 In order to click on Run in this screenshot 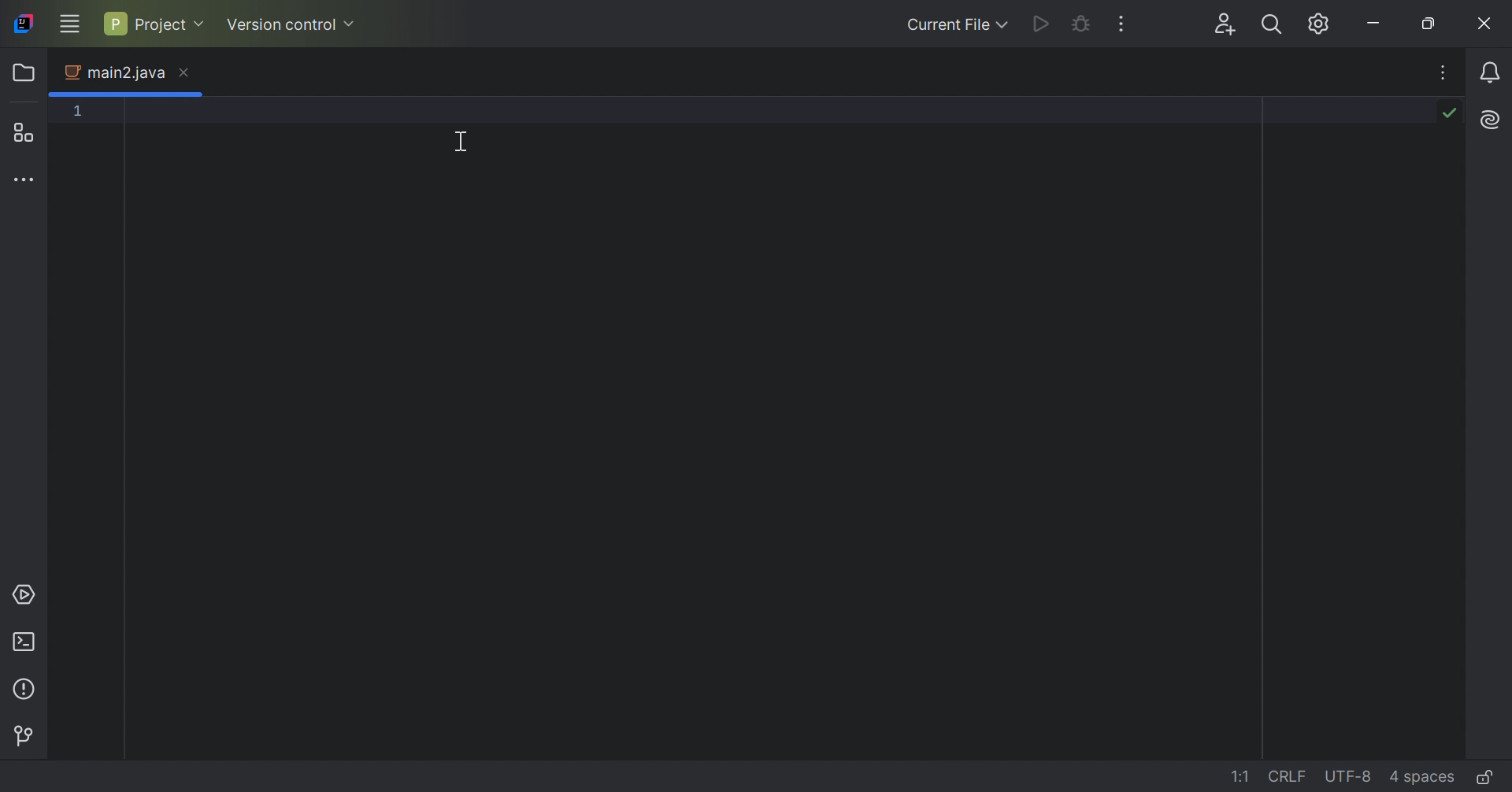, I will do `click(1042, 23)`.